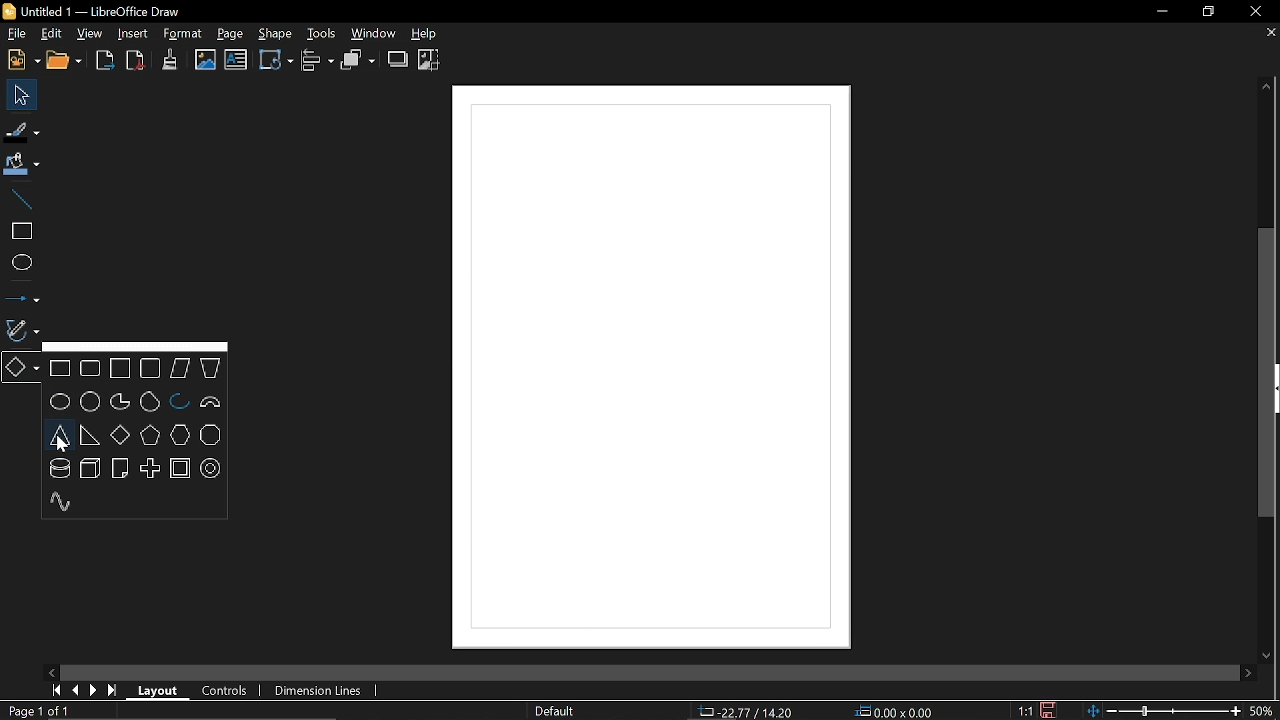 The image size is (1280, 720). Describe the element at coordinates (170, 59) in the screenshot. I see `Clone` at that location.